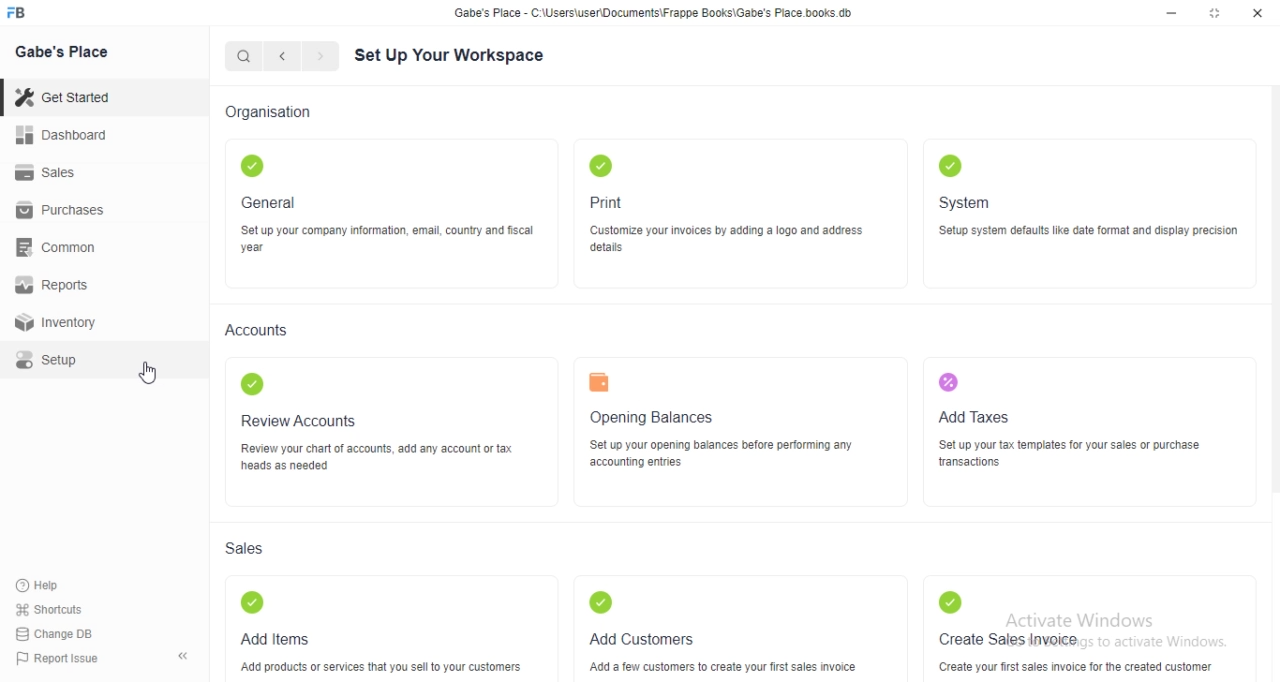  I want to click on Gabe's Place - C\Users\userDocuments\Frappe Books\Gabe's Place.books.db., so click(656, 16).